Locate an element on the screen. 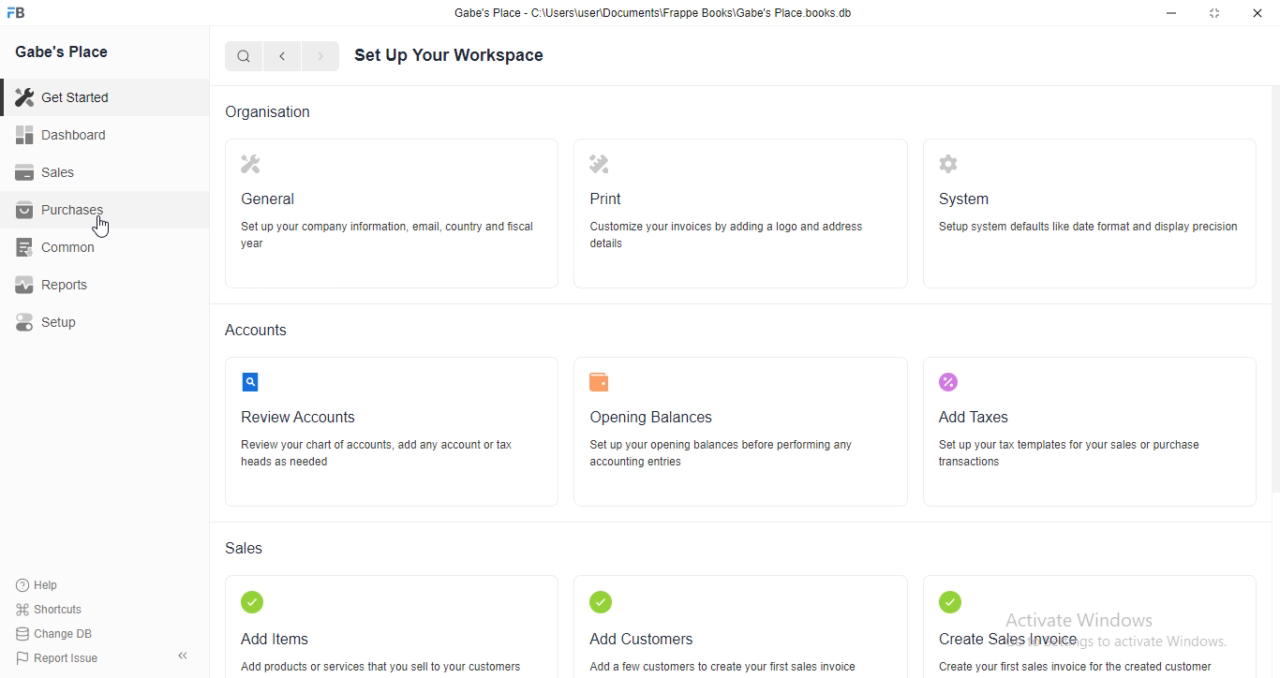  ‘Customize your invoices by adding a logo and address details. is located at coordinates (739, 235).